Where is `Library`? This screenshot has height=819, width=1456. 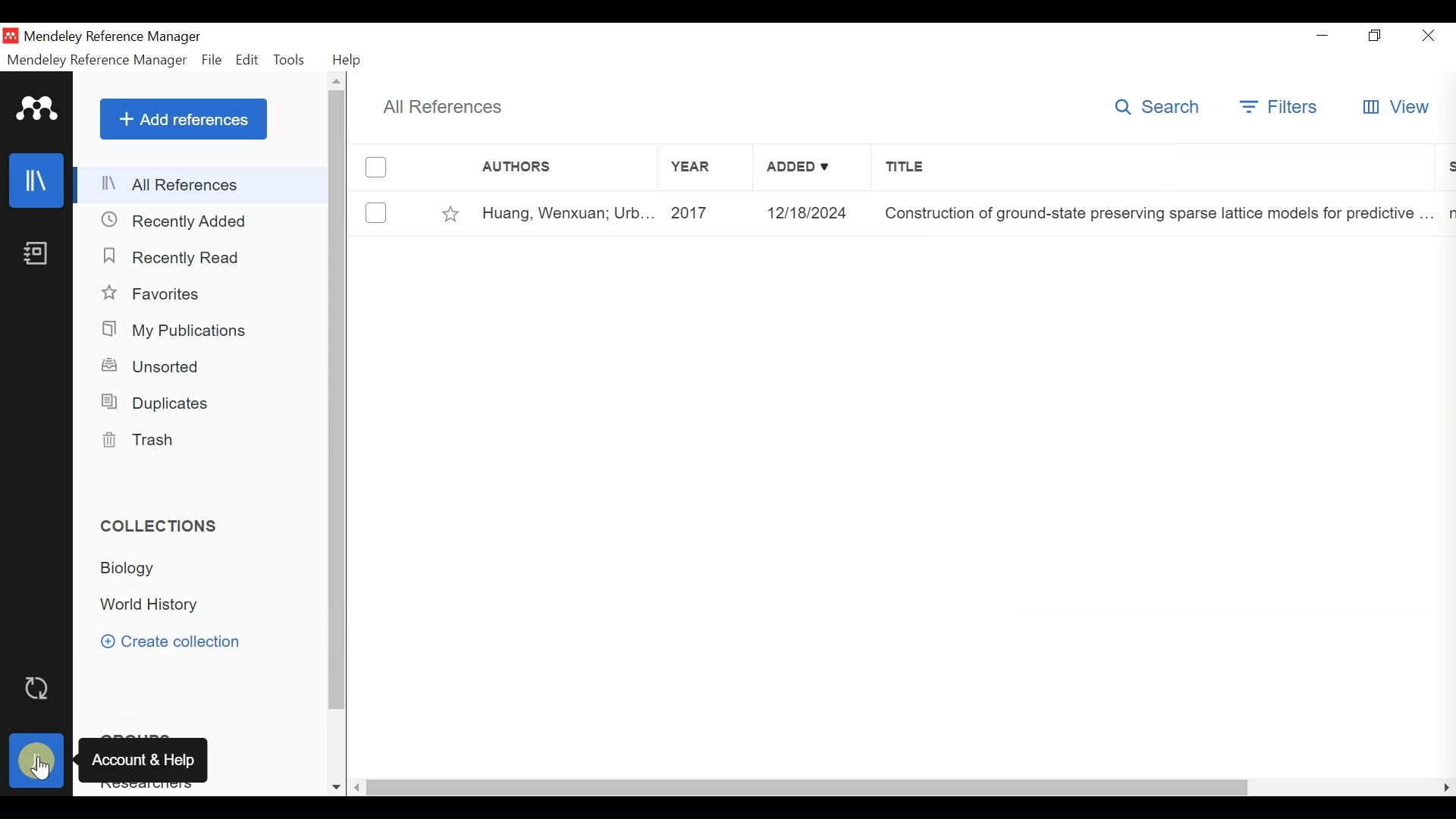
Library is located at coordinates (38, 180).